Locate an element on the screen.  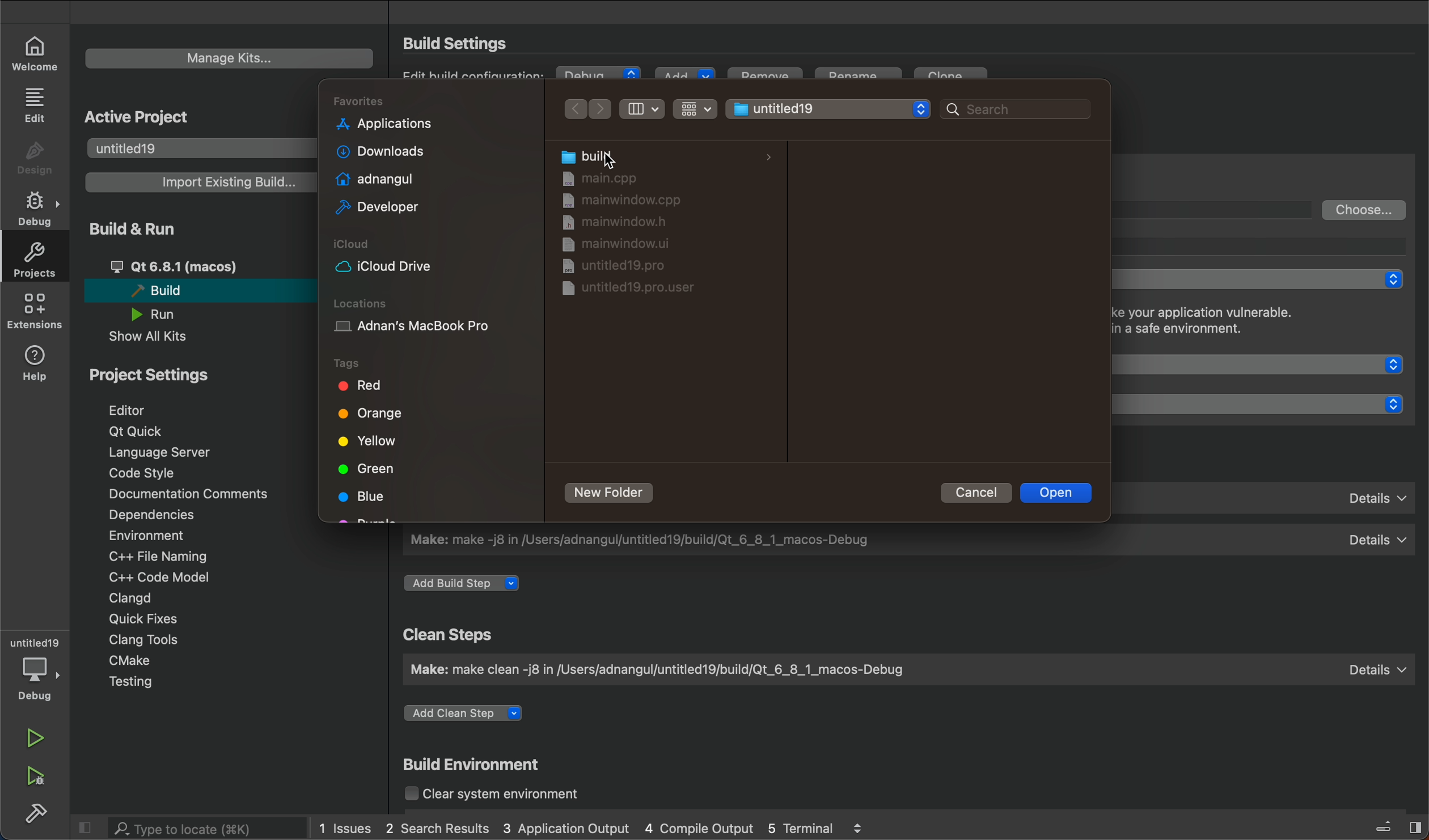
file is located at coordinates (626, 202).